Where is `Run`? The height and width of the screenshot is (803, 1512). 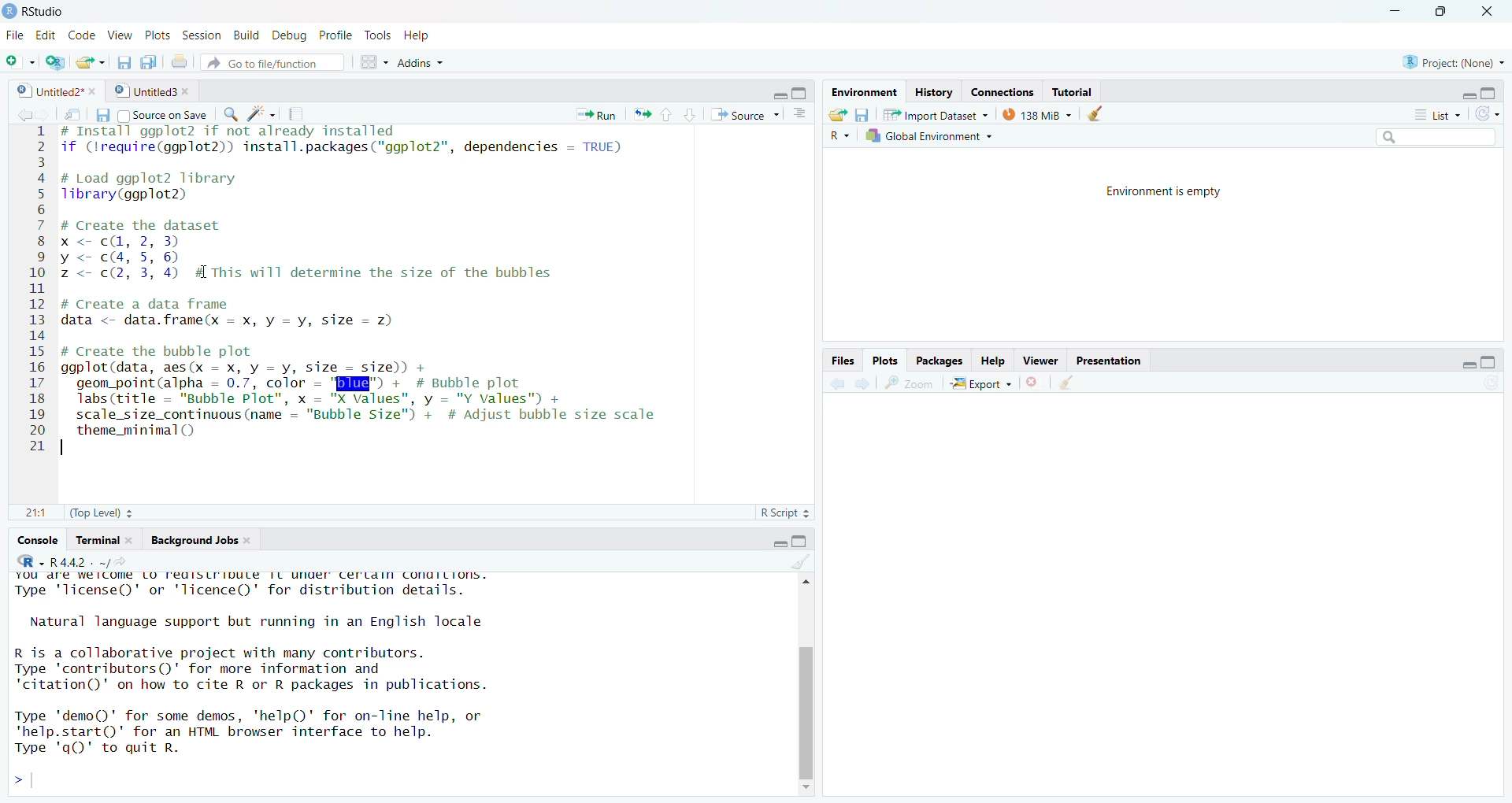 Run is located at coordinates (589, 113).